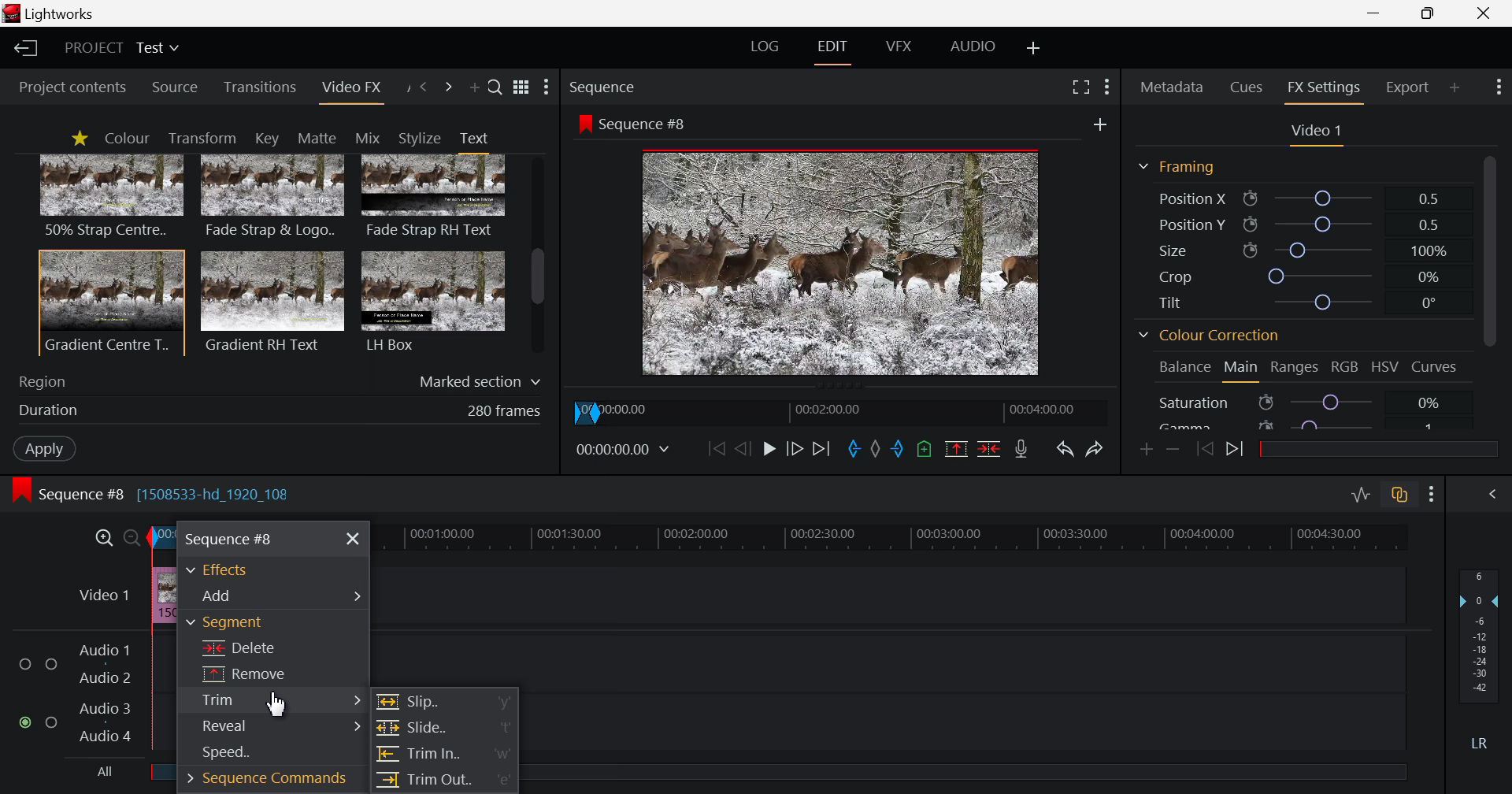 The width and height of the screenshot is (1512, 794). Describe the element at coordinates (104, 648) in the screenshot. I see `audio 1` at that location.